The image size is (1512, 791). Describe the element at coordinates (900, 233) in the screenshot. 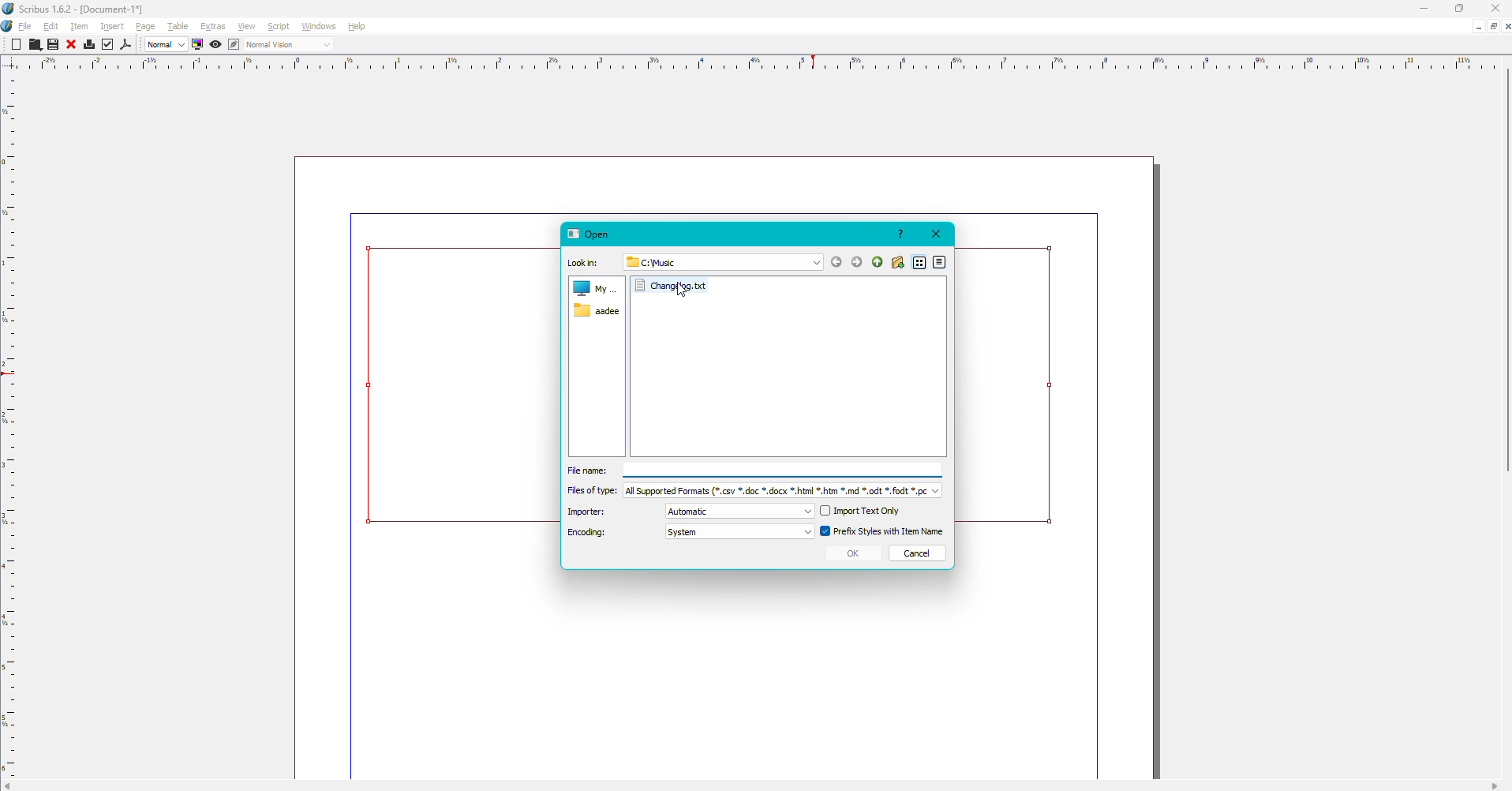

I see `help` at that location.